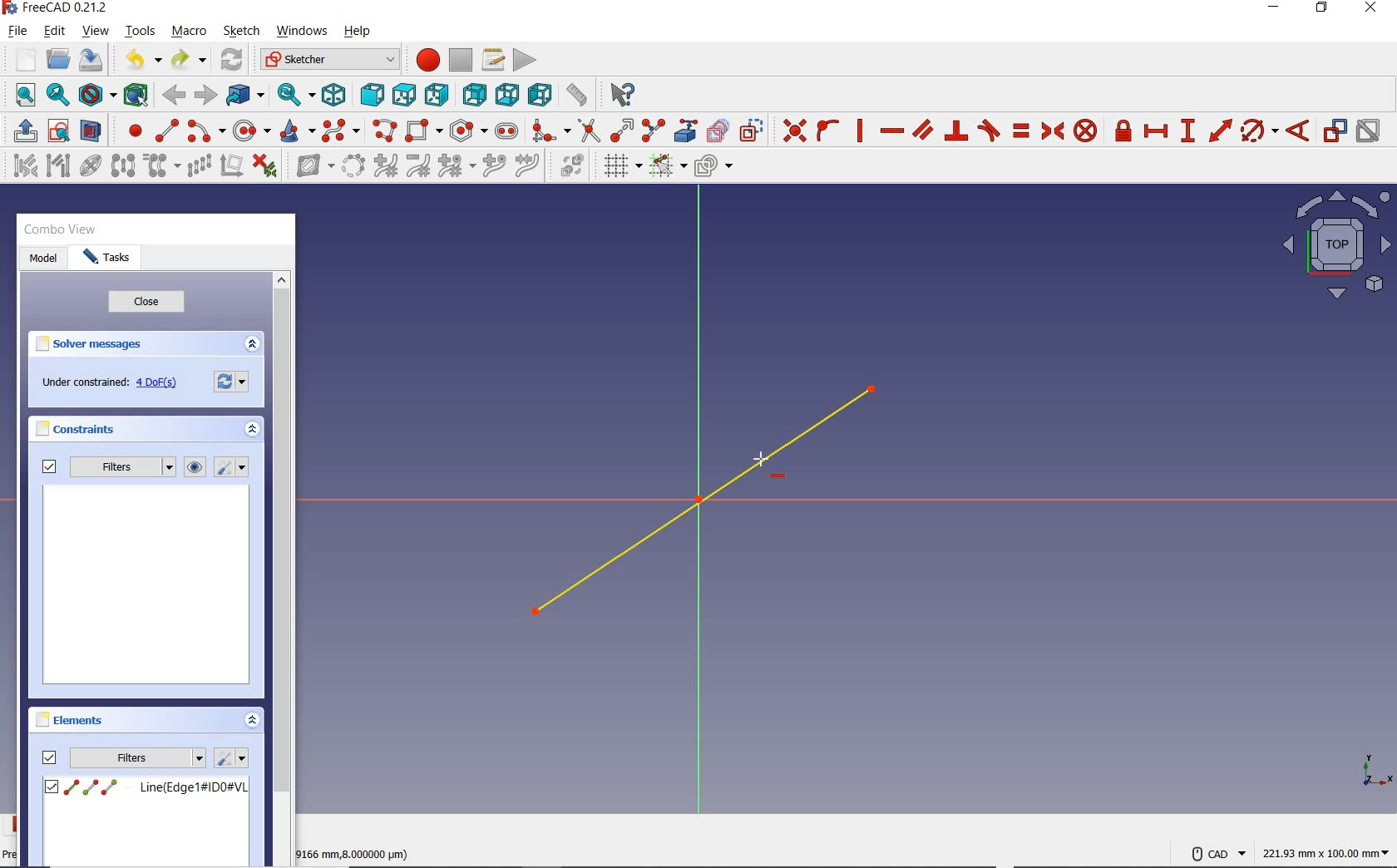 The height and width of the screenshot is (868, 1397). Describe the element at coordinates (428, 59) in the screenshot. I see `MACRO RECORDING` at that location.